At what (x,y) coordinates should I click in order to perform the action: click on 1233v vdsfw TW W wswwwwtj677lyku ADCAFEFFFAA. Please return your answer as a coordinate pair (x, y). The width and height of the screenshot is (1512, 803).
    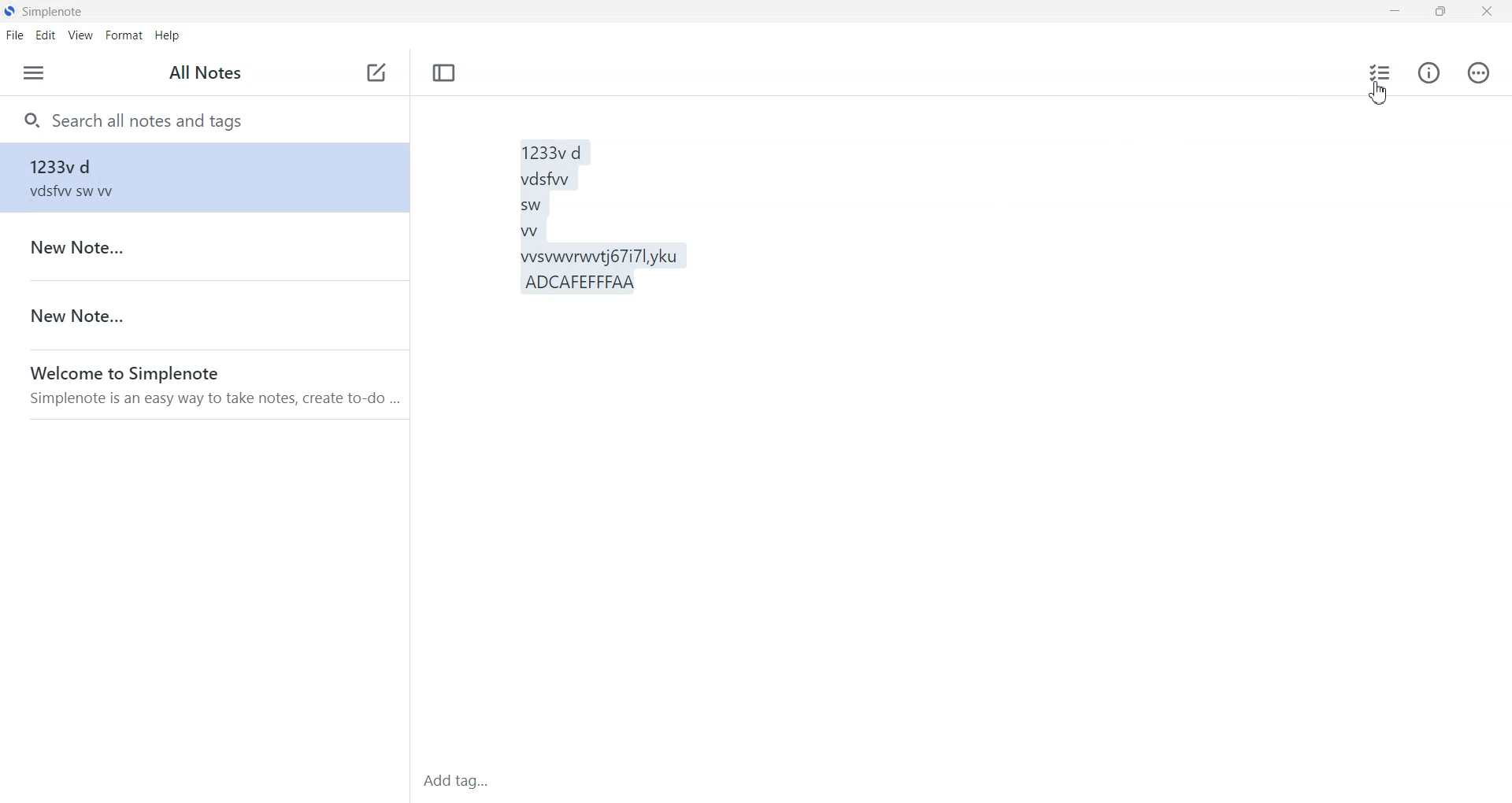
    Looking at the image, I should click on (891, 420).